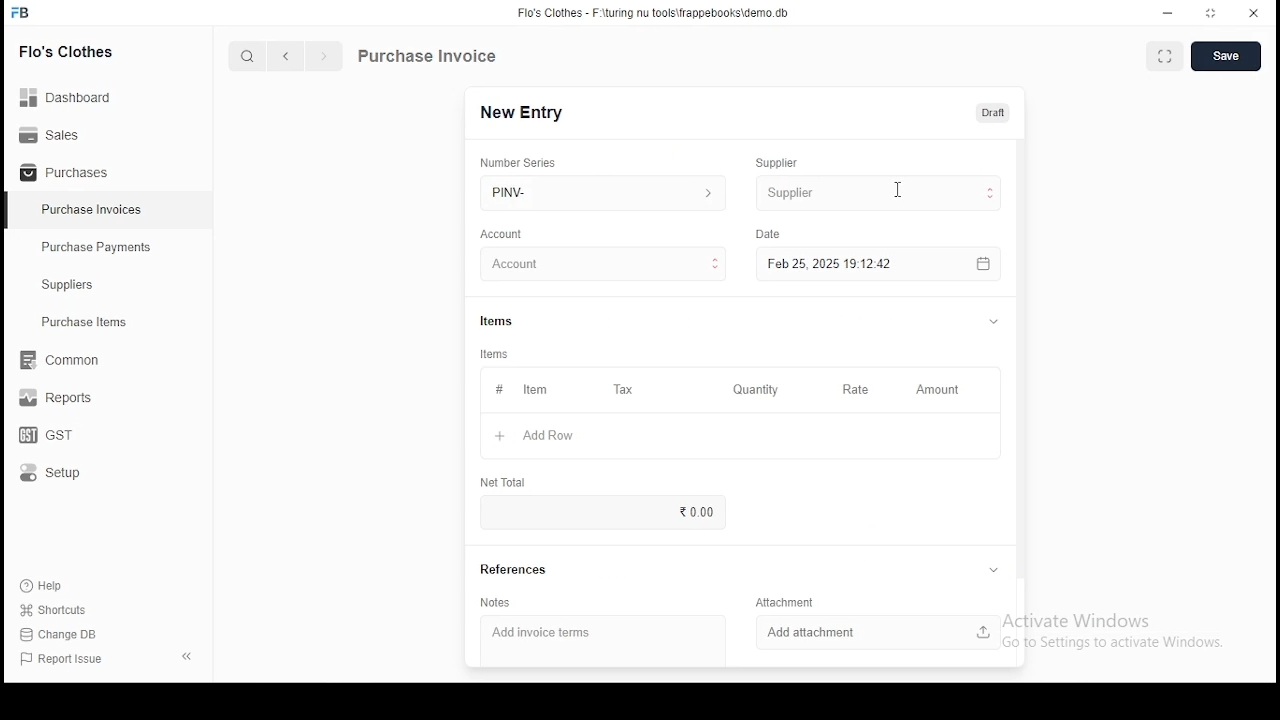 This screenshot has width=1280, height=720. What do you see at coordinates (1254, 11) in the screenshot?
I see `close window` at bounding box center [1254, 11].